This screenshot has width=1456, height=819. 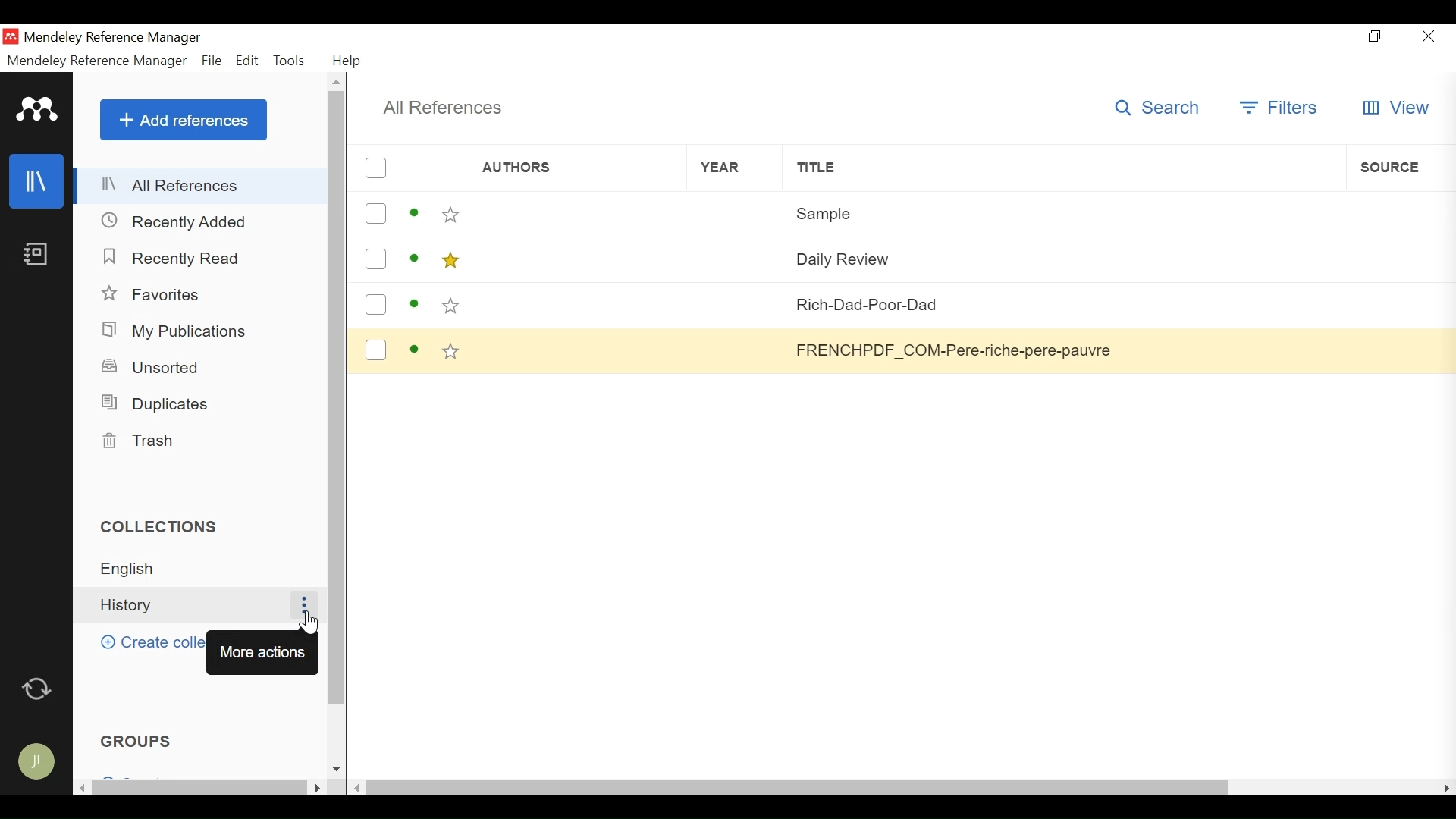 What do you see at coordinates (577, 214) in the screenshot?
I see `Authors` at bounding box center [577, 214].